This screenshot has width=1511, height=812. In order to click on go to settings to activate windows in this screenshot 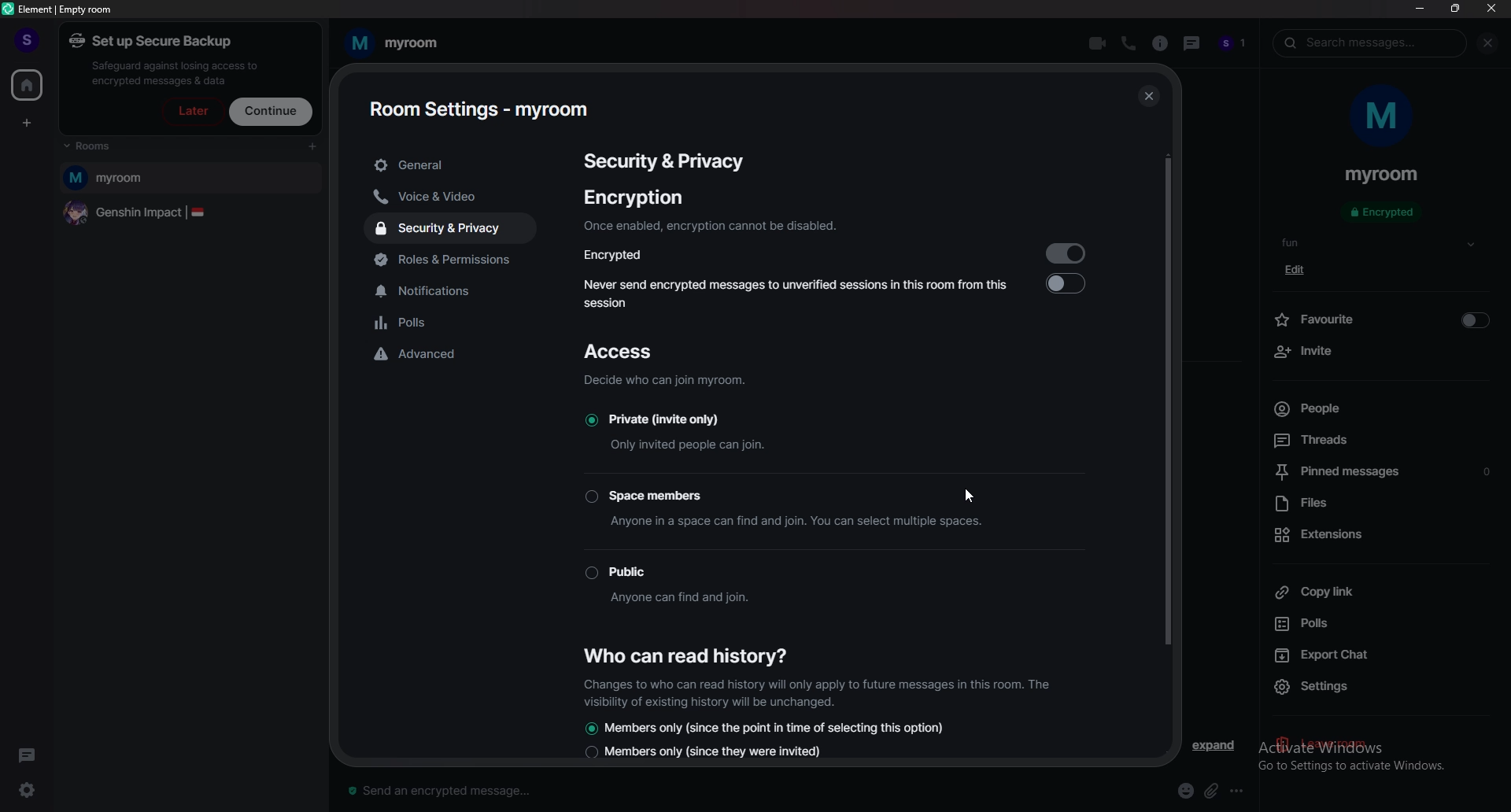, I will do `click(1384, 769)`.